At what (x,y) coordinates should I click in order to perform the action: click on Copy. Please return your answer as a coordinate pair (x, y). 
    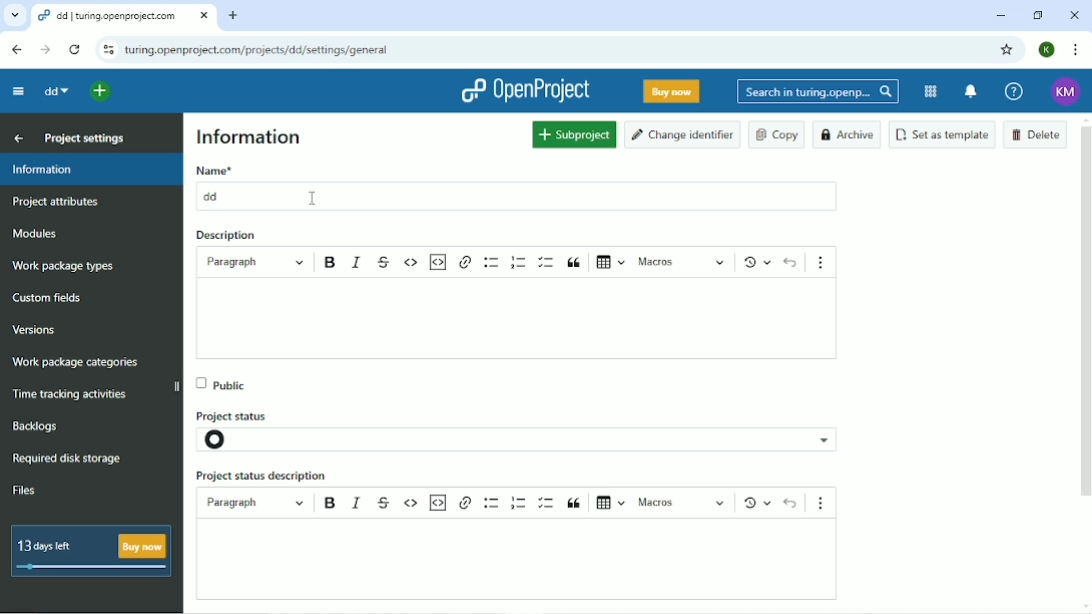
    Looking at the image, I should click on (777, 135).